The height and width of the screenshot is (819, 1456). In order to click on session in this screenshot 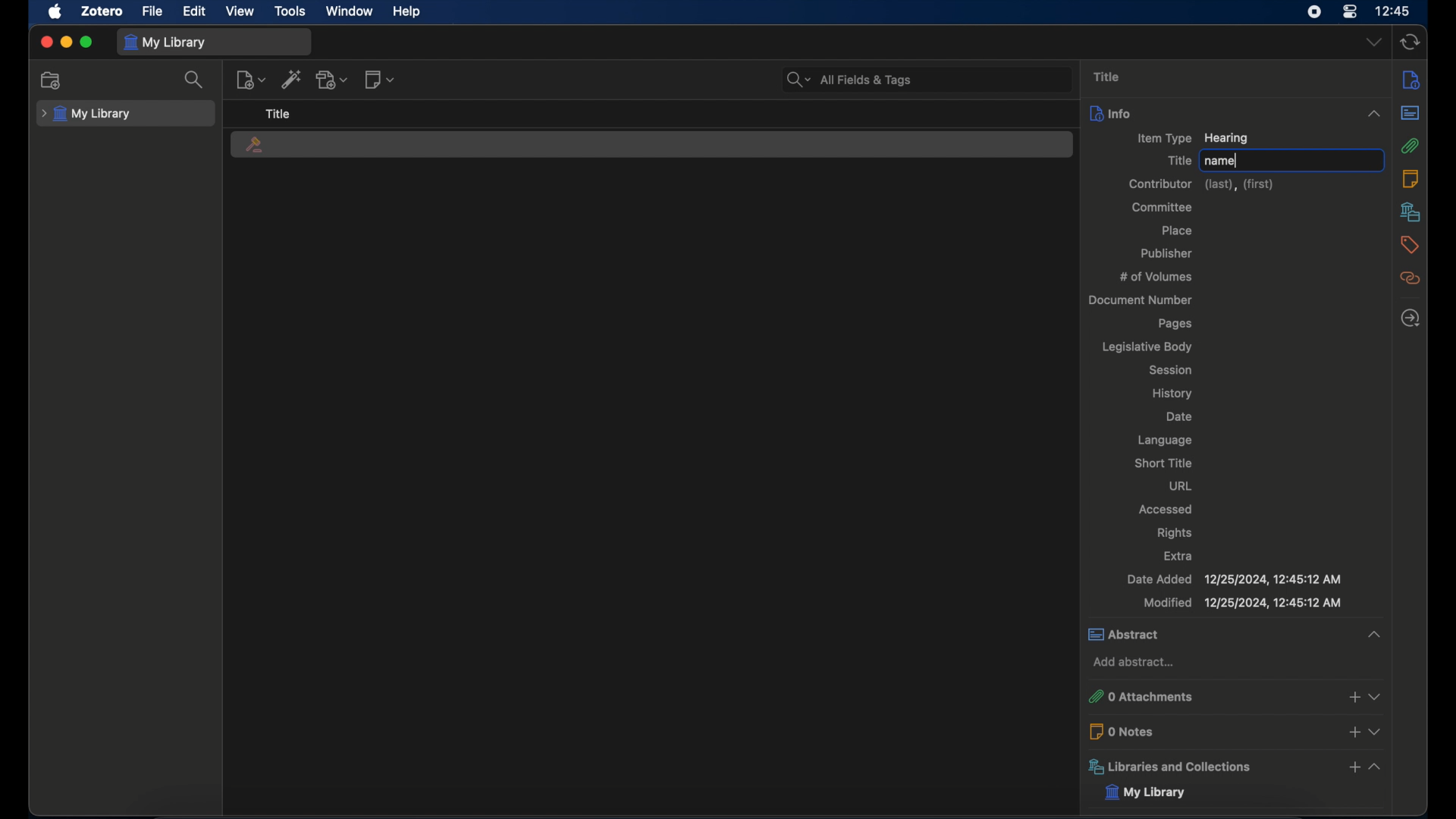, I will do `click(1169, 369)`.